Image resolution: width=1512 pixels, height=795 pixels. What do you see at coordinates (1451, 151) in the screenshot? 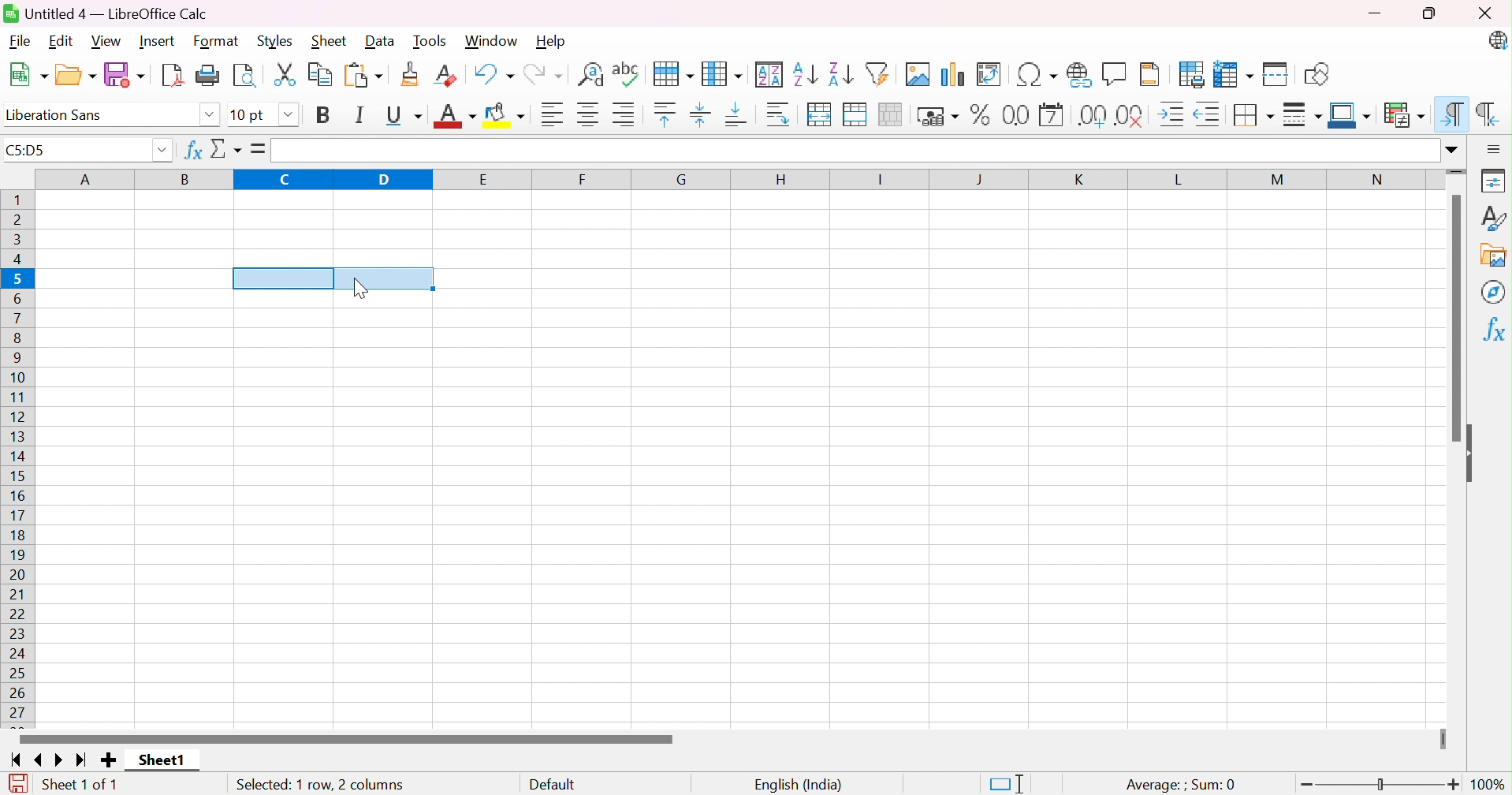
I see `Drop Down` at bounding box center [1451, 151].